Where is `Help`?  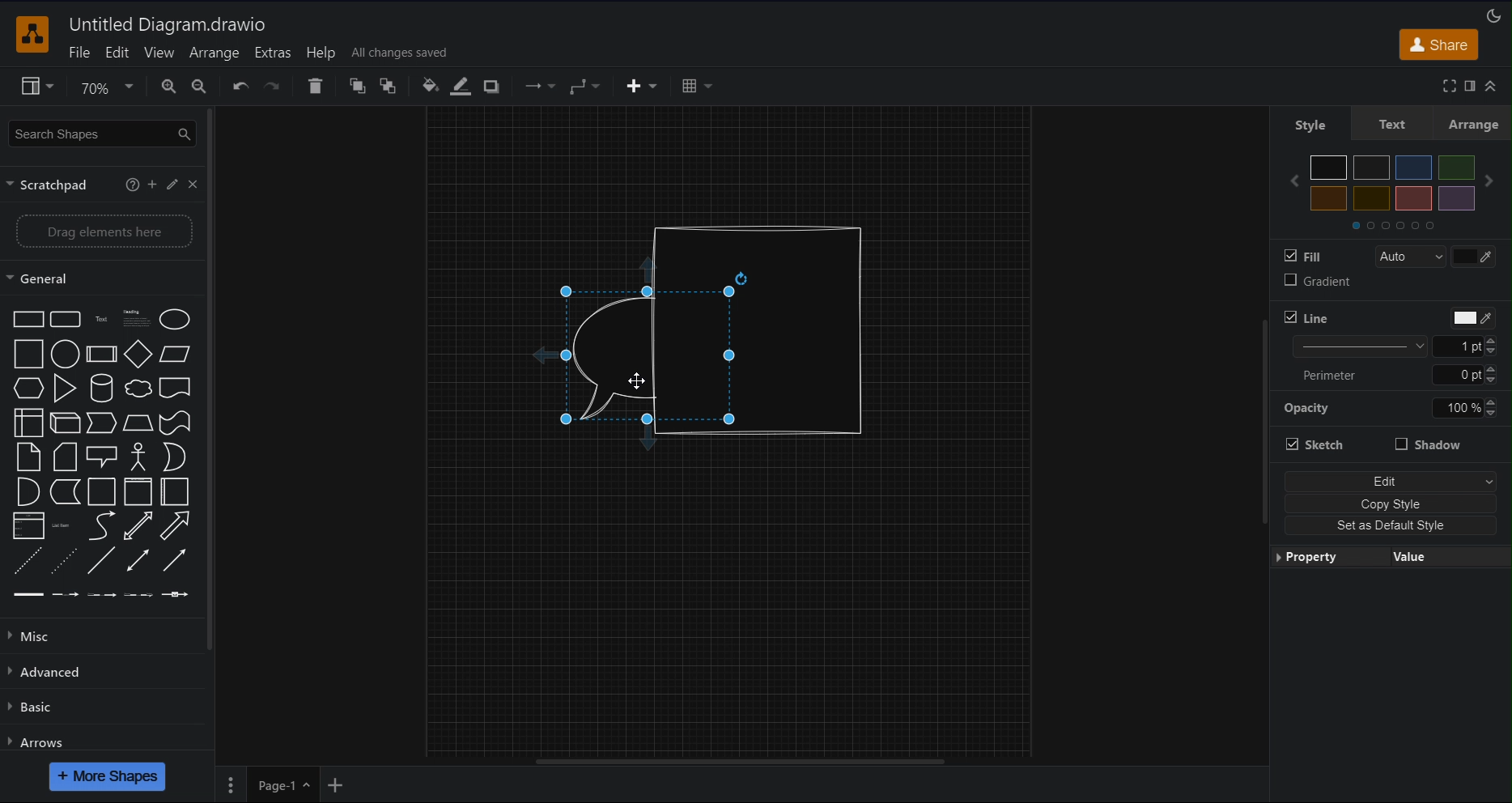
Help is located at coordinates (324, 52).